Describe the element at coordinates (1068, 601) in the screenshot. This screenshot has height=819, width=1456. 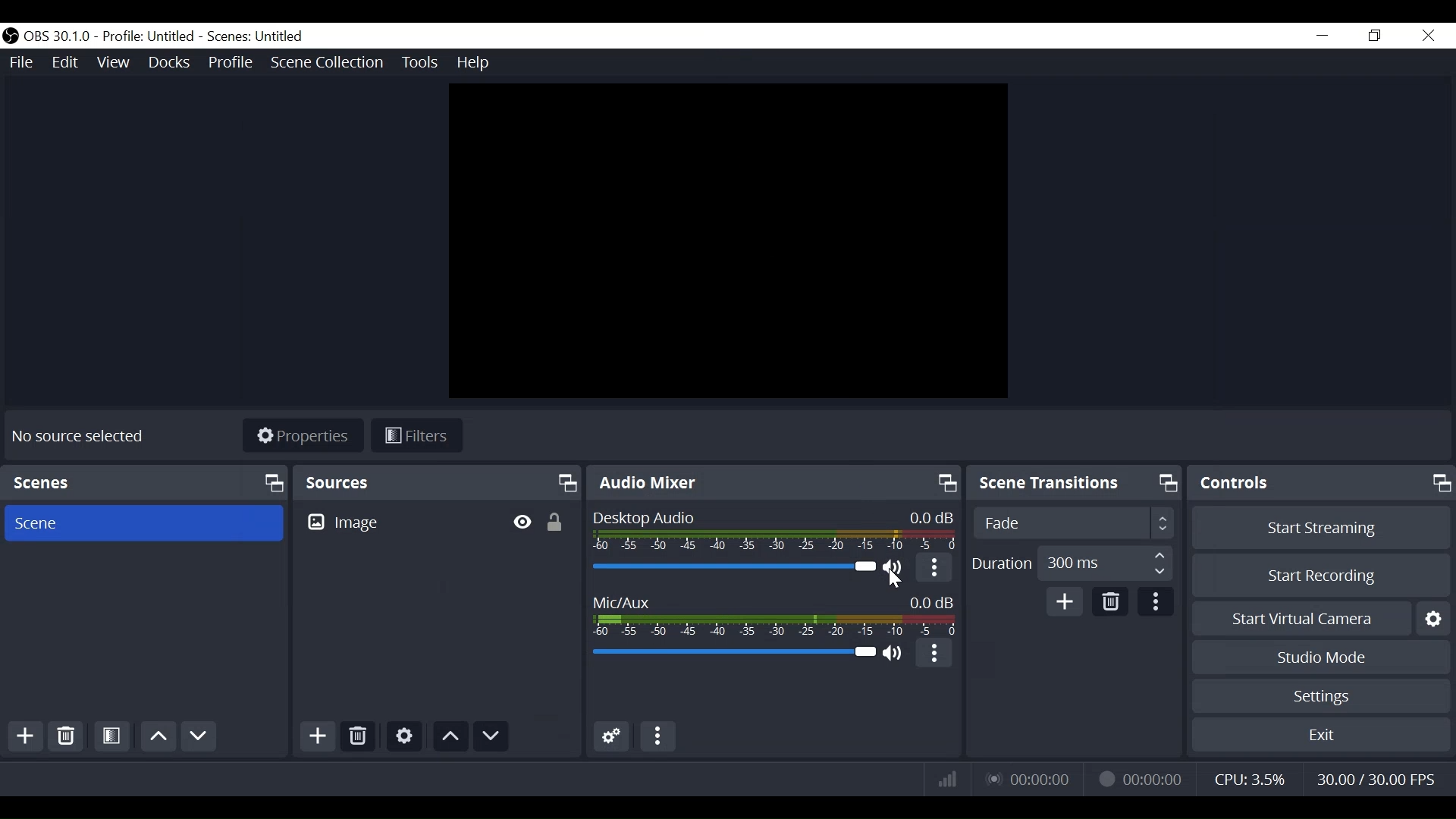
I see `Add Scene Transition` at that location.